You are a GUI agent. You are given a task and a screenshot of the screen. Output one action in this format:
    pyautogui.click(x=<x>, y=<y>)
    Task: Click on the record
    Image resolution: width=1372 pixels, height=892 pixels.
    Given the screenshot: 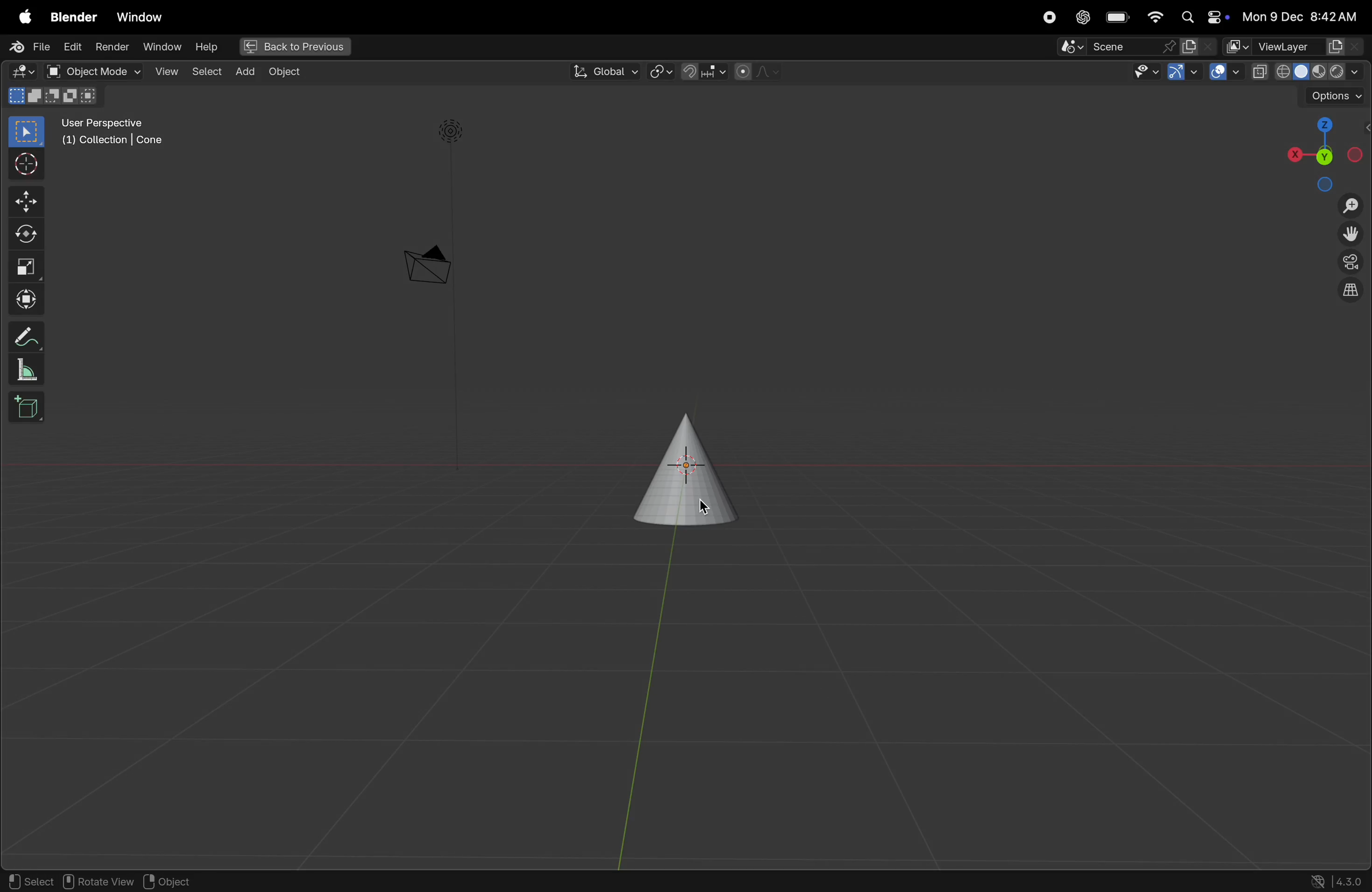 What is the action you would take?
    pyautogui.click(x=1050, y=17)
    